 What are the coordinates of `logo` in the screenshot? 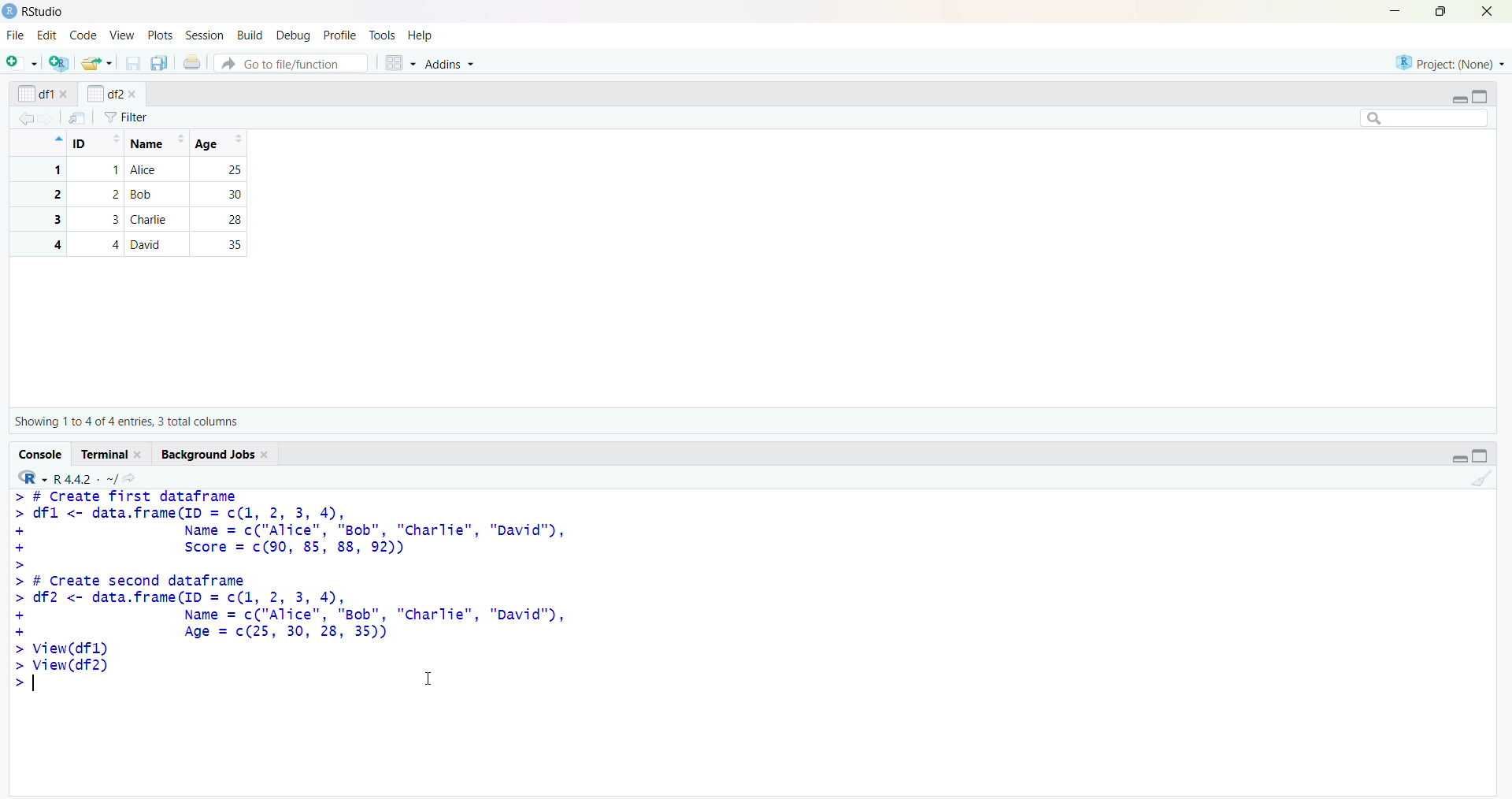 It's located at (11, 12).